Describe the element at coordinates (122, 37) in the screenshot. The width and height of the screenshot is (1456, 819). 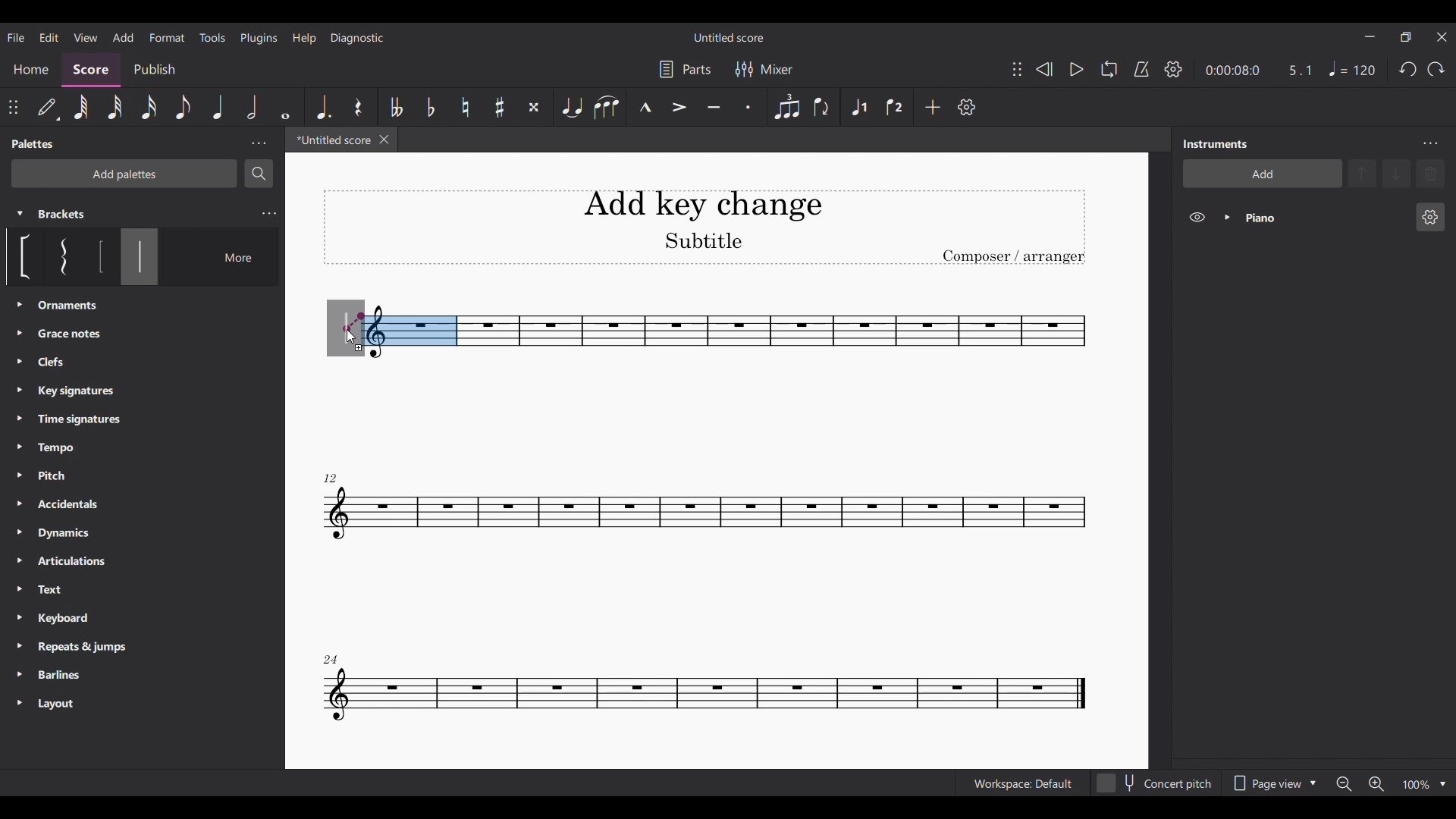
I see `Add menu` at that location.